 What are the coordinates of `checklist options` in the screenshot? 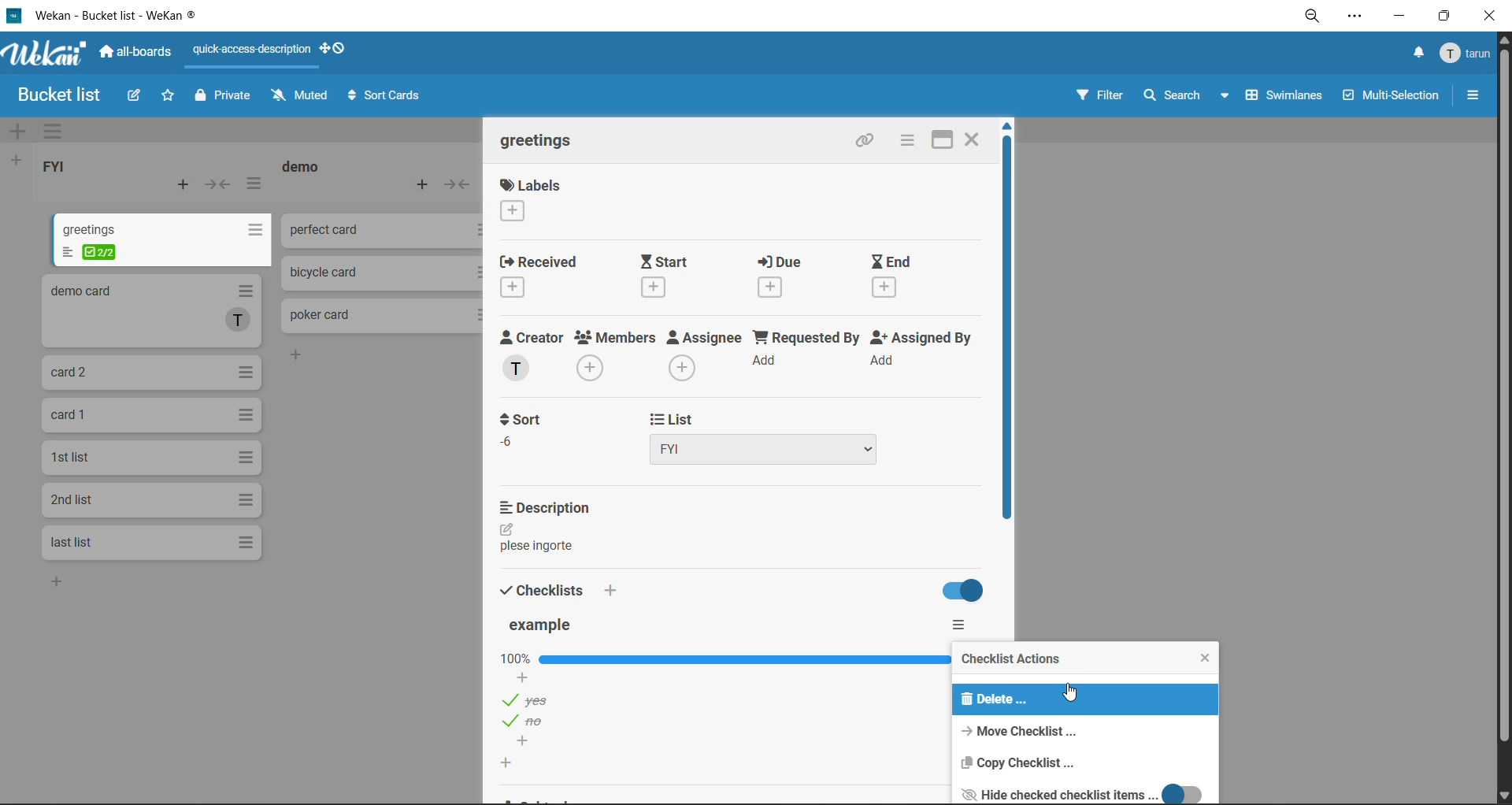 It's located at (535, 722).